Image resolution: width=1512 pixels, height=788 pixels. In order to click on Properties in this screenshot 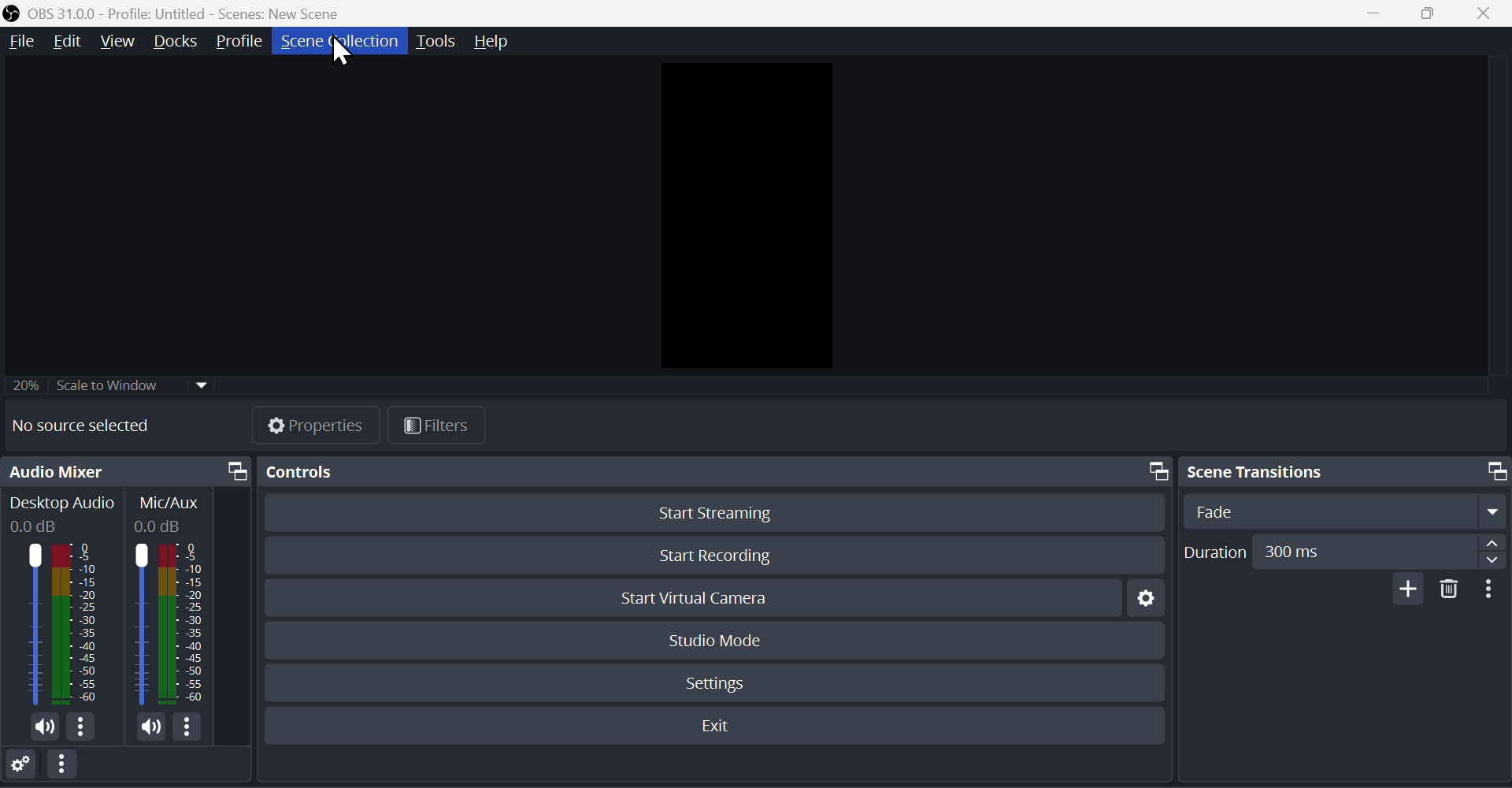, I will do `click(319, 424)`.